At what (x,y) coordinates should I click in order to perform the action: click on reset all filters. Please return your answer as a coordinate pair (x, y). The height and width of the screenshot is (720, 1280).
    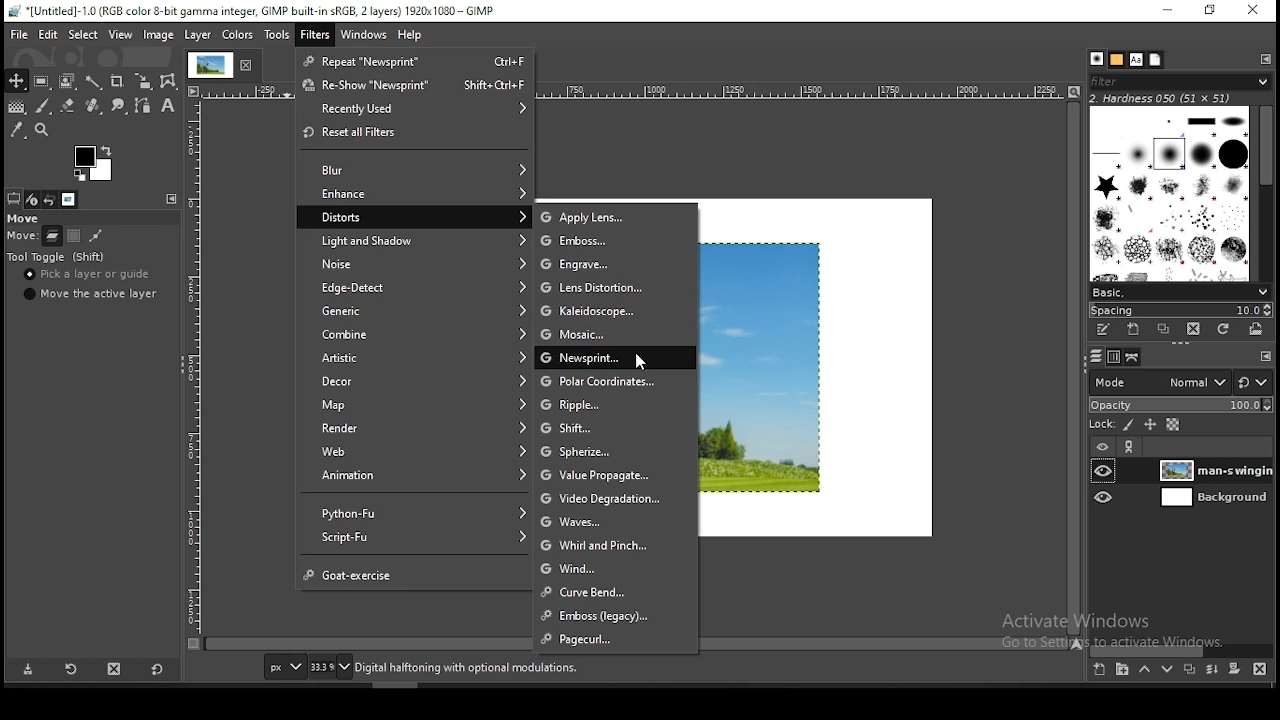
    Looking at the image, I should click on (415, 133).